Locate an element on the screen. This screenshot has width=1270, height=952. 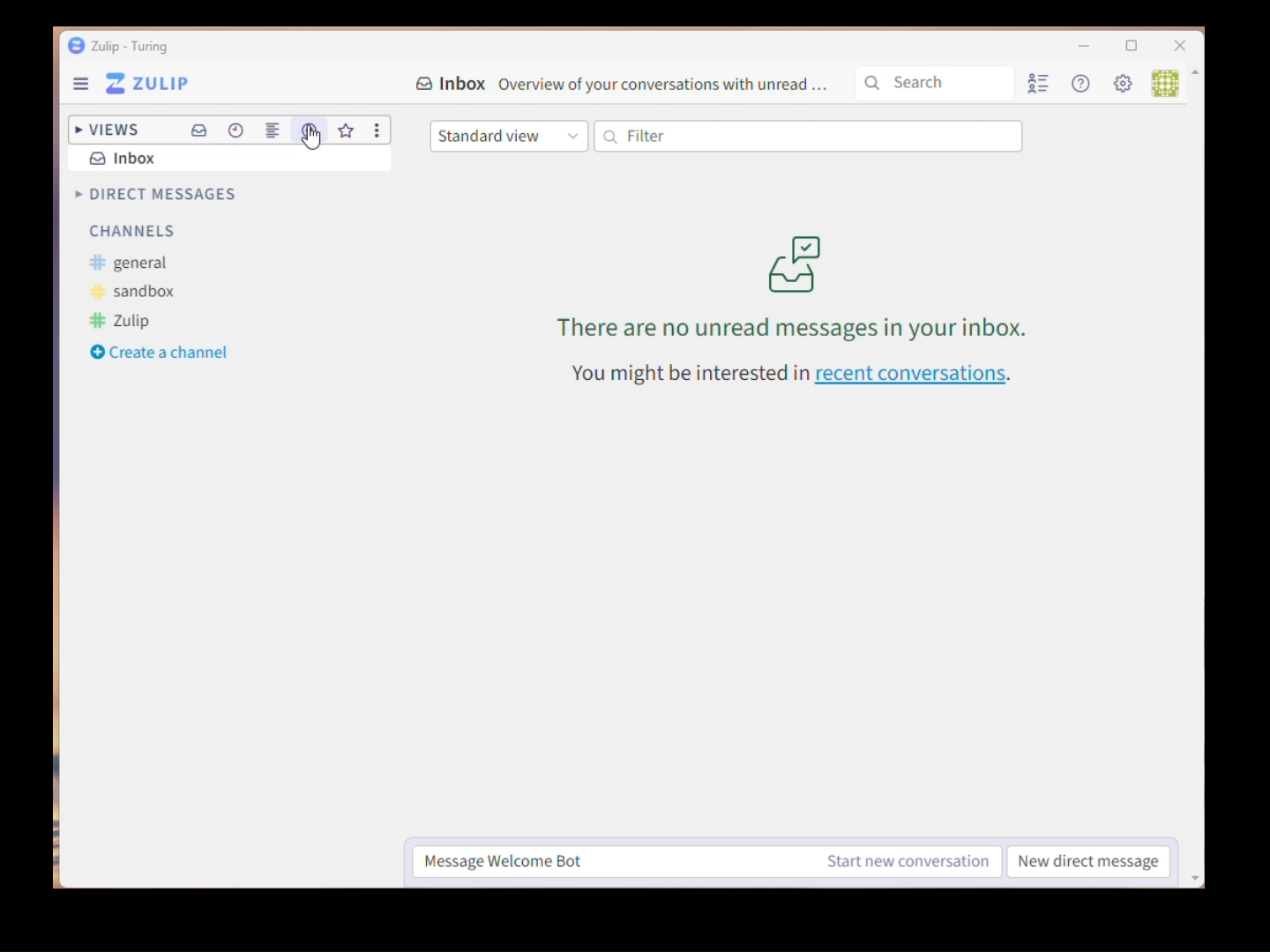
Sanbox is located at coordinates (135, 292).